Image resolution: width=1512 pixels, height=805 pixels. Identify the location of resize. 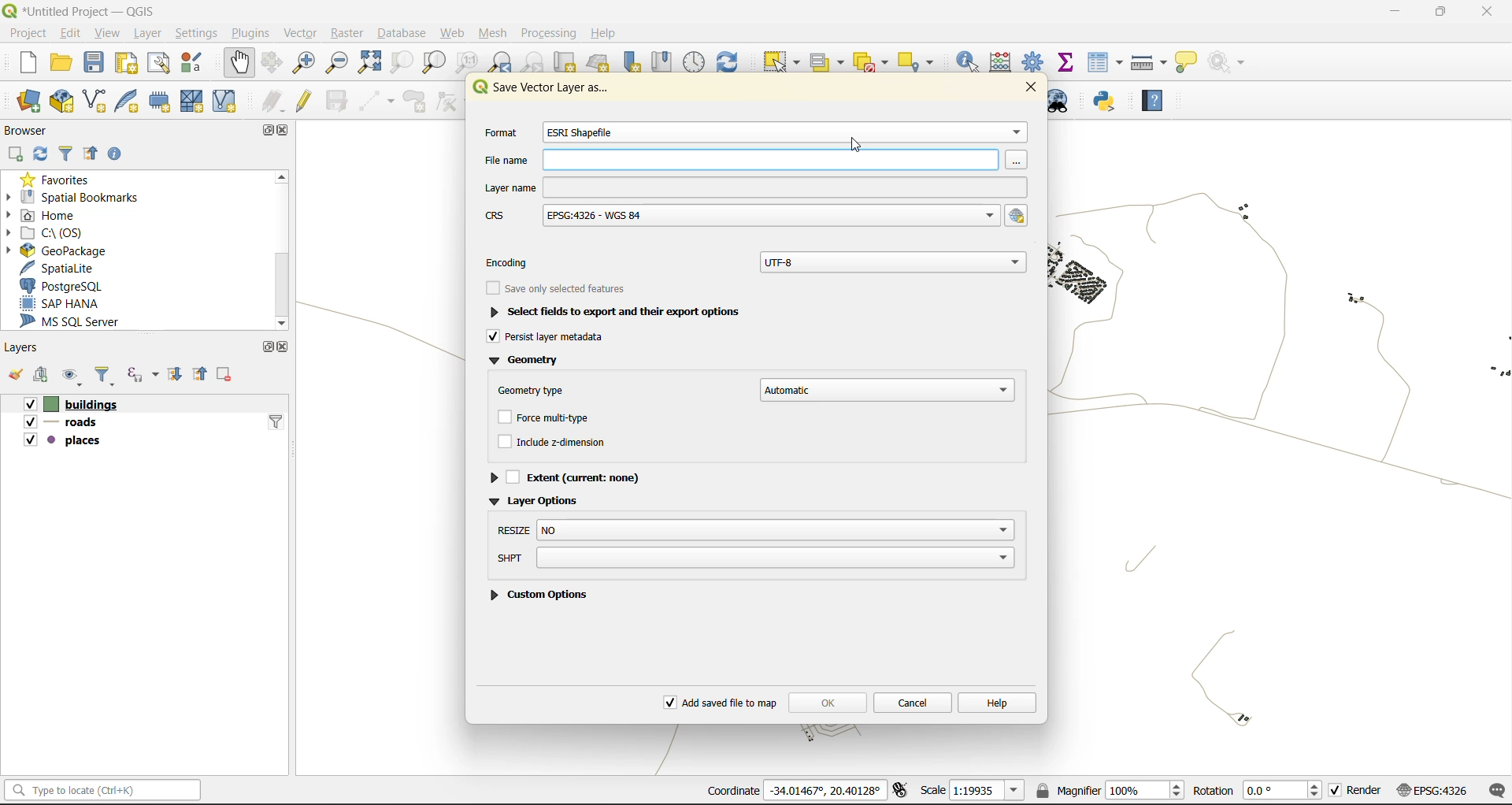
(755, 526).